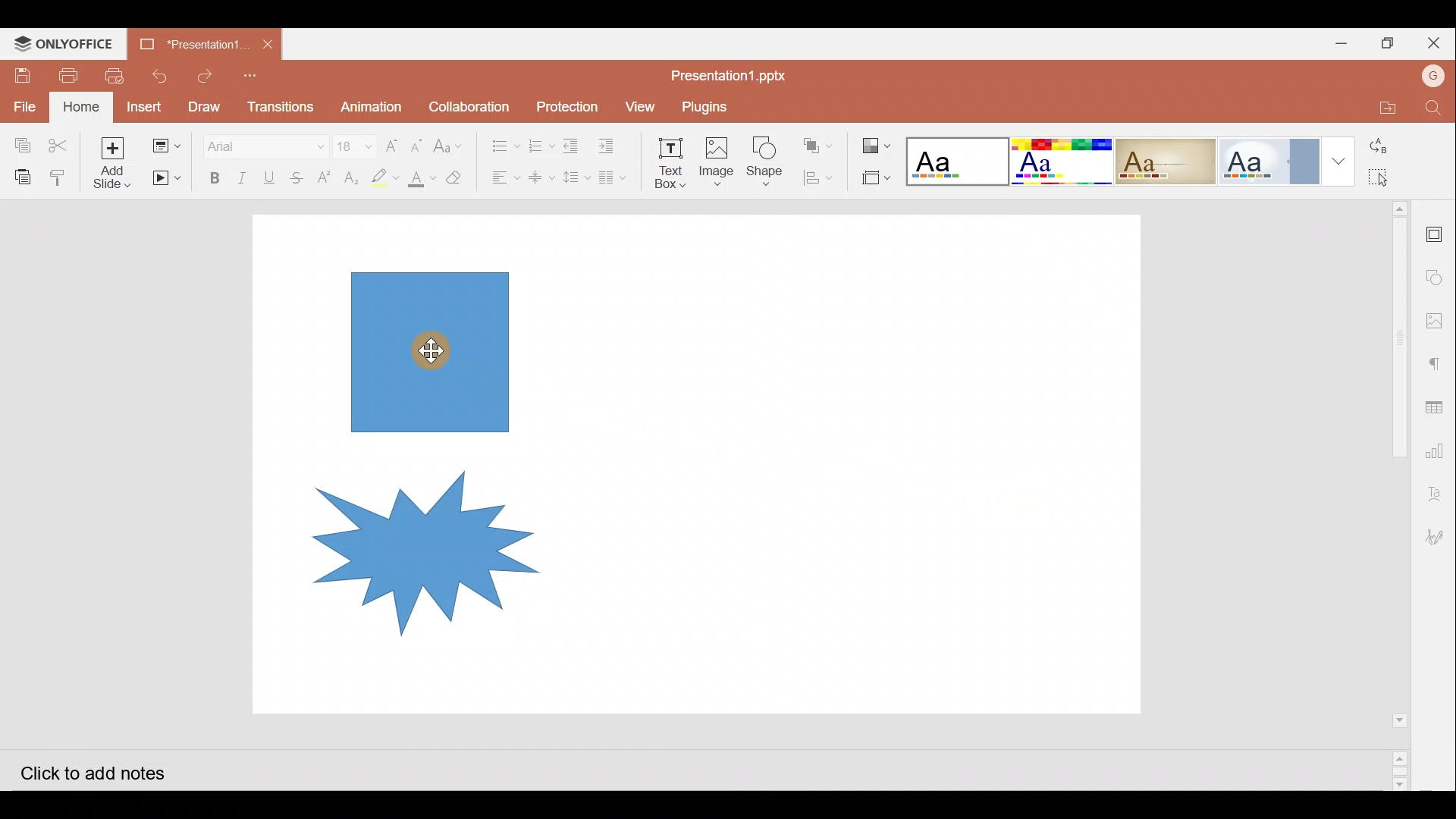 This screenshot has height=819, width=1456. What do you see at coordinates (573, 143) in the screenshot?
I see `Decrease indent` at bounding box center [573, 143].